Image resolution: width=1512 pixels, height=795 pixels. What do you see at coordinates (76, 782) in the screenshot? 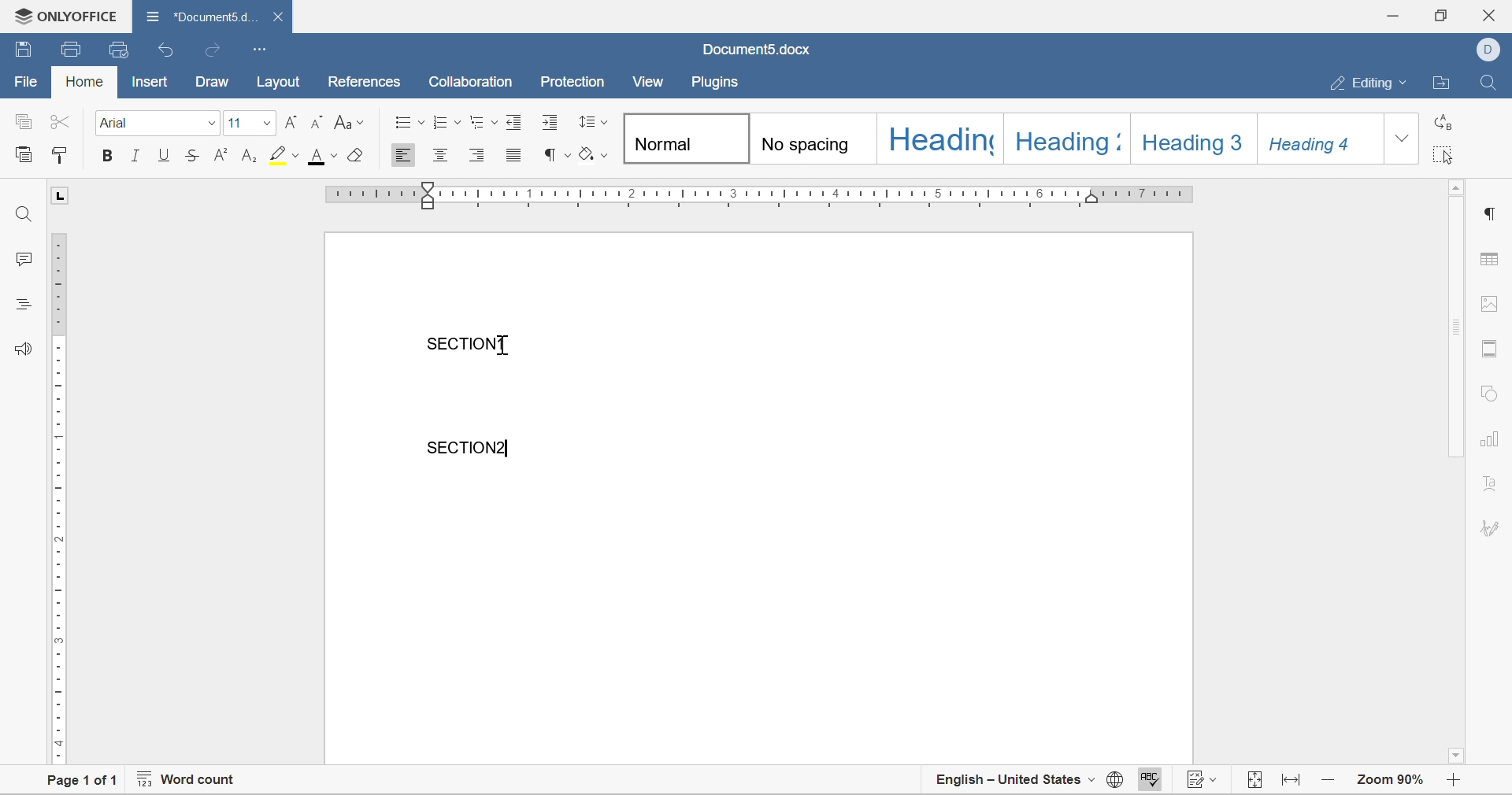
I see `page 1 of 1` at bounding box center [76, 782].